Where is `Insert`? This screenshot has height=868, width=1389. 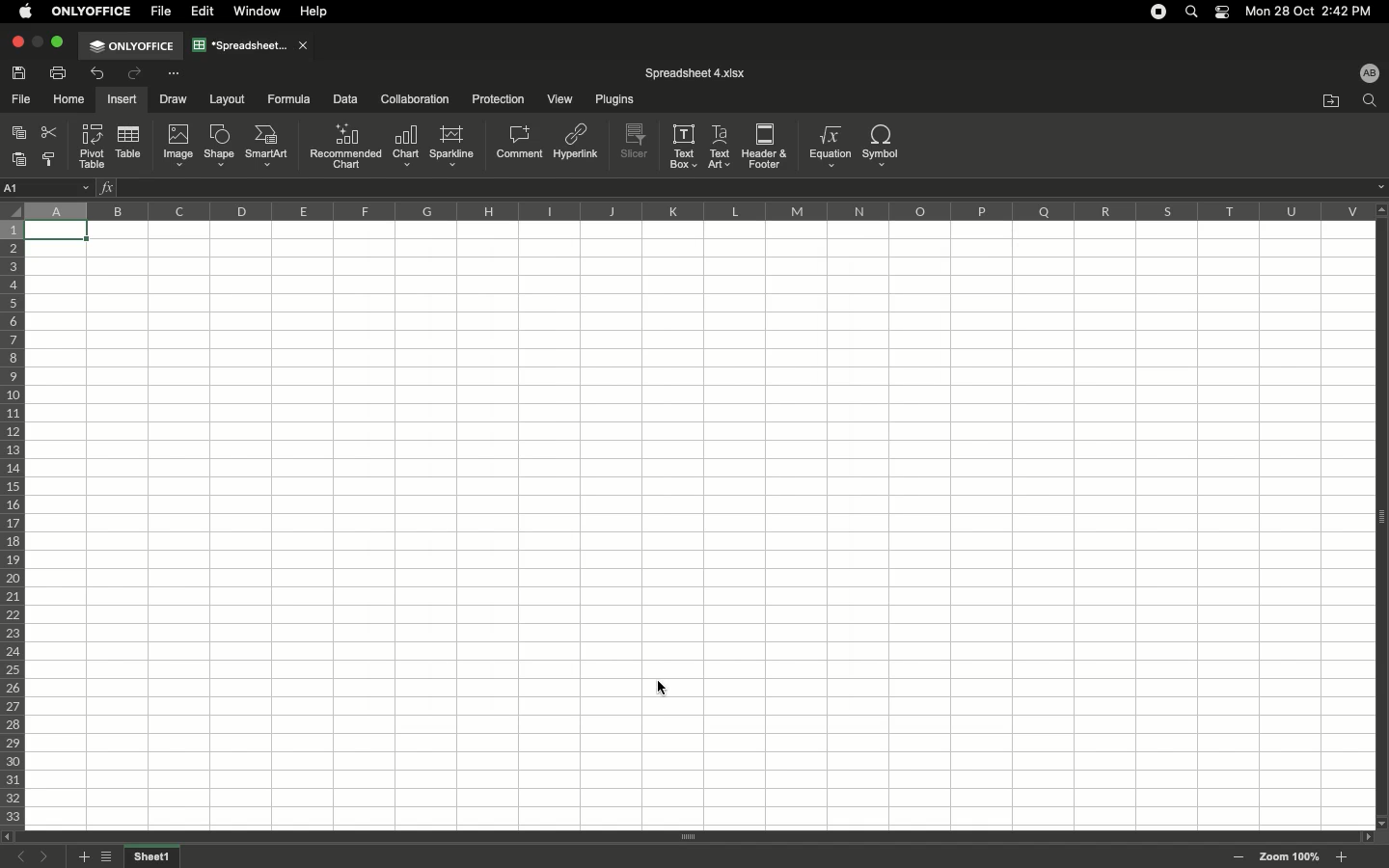 Insert is located at coordinates (121, 99).